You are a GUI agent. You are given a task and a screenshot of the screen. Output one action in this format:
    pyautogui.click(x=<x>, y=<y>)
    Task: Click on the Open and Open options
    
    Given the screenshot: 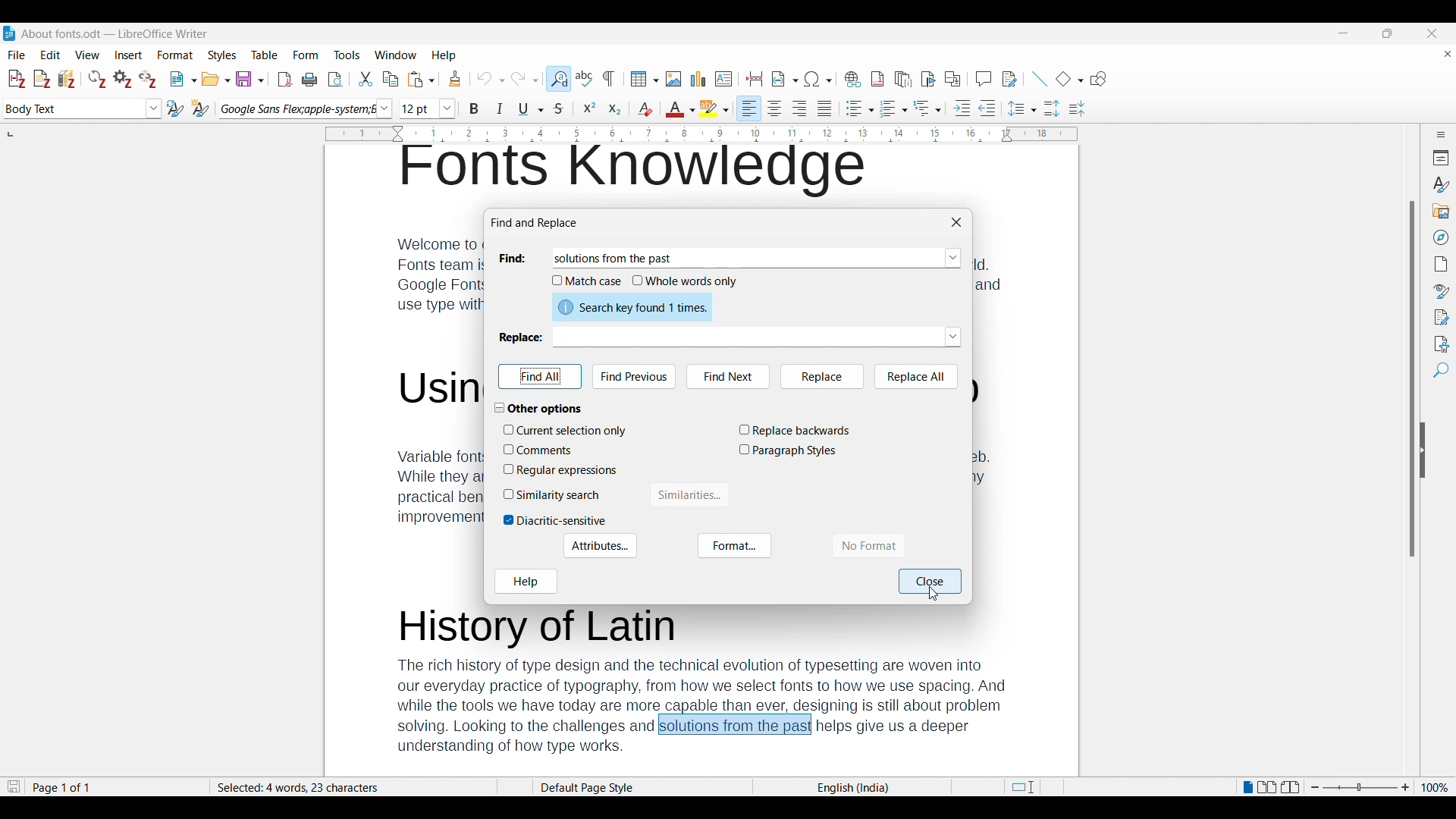 What is the action you would take?
    pyautogui.click(x=216, y=80)
    